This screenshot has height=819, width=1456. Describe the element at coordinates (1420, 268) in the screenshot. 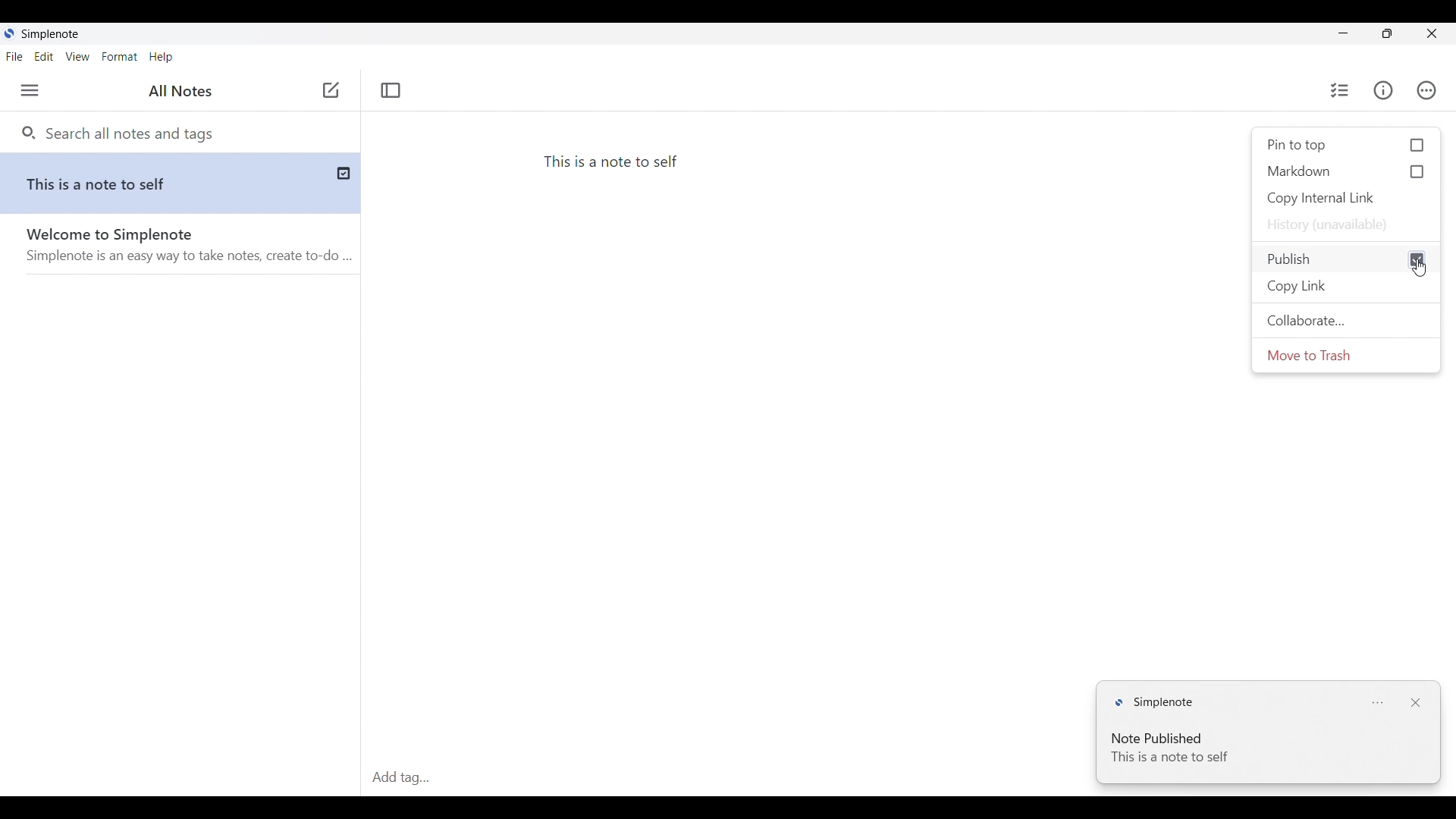

I see `Cursor` at that location.